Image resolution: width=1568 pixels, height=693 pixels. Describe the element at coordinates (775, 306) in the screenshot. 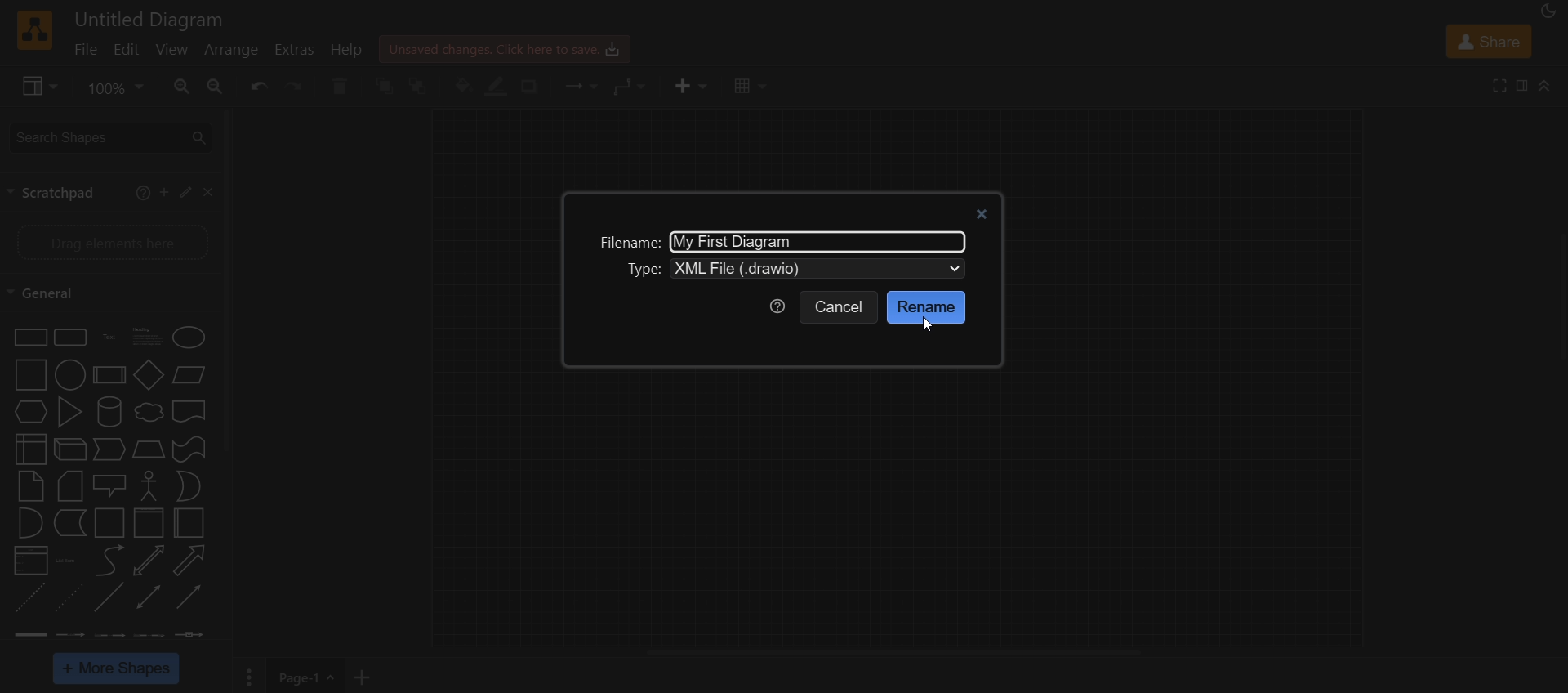

I see `help` at that location.